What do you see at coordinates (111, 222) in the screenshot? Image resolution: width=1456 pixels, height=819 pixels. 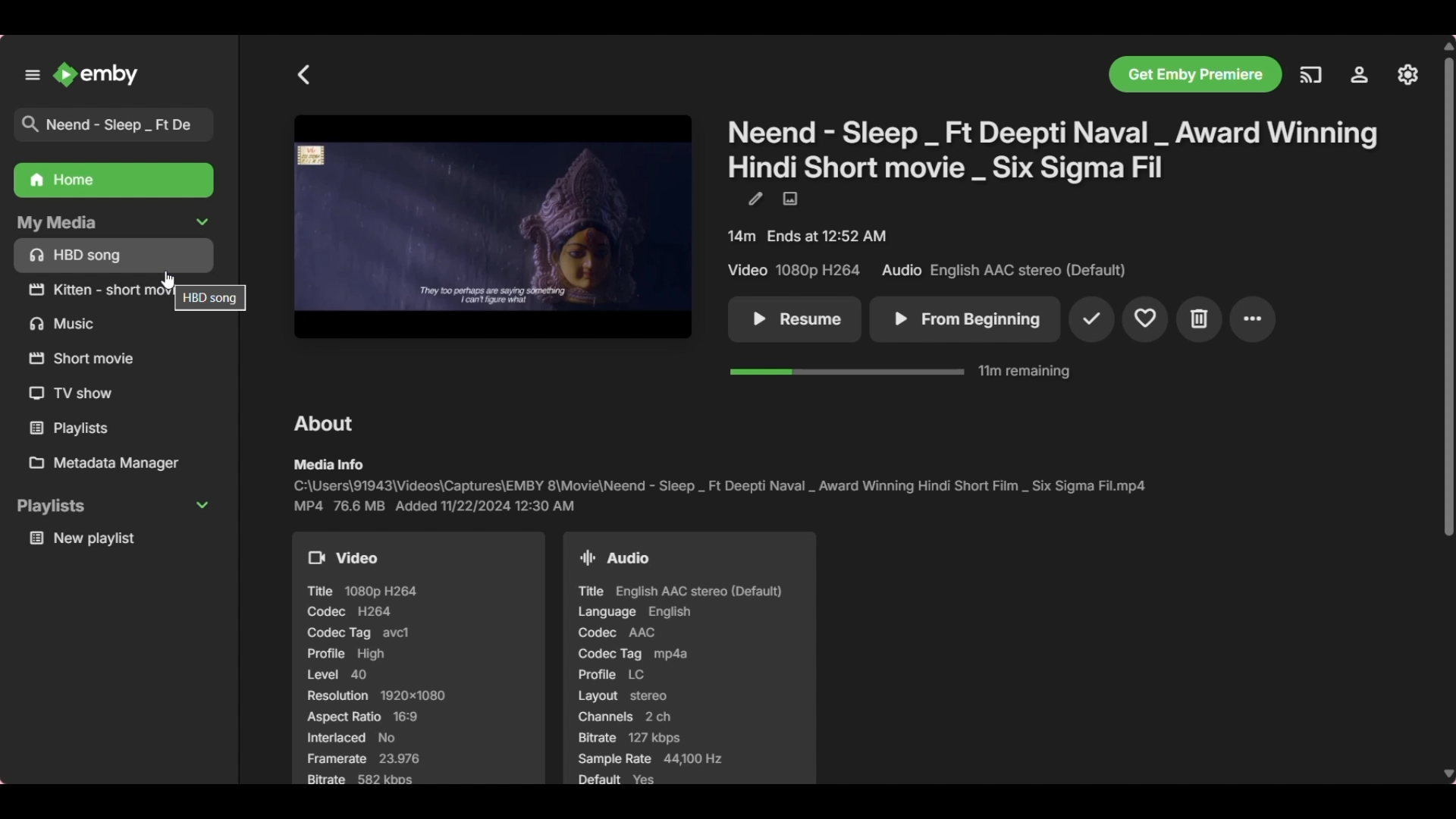 I see `Collapse My Media` at bounding box center [111, 222].